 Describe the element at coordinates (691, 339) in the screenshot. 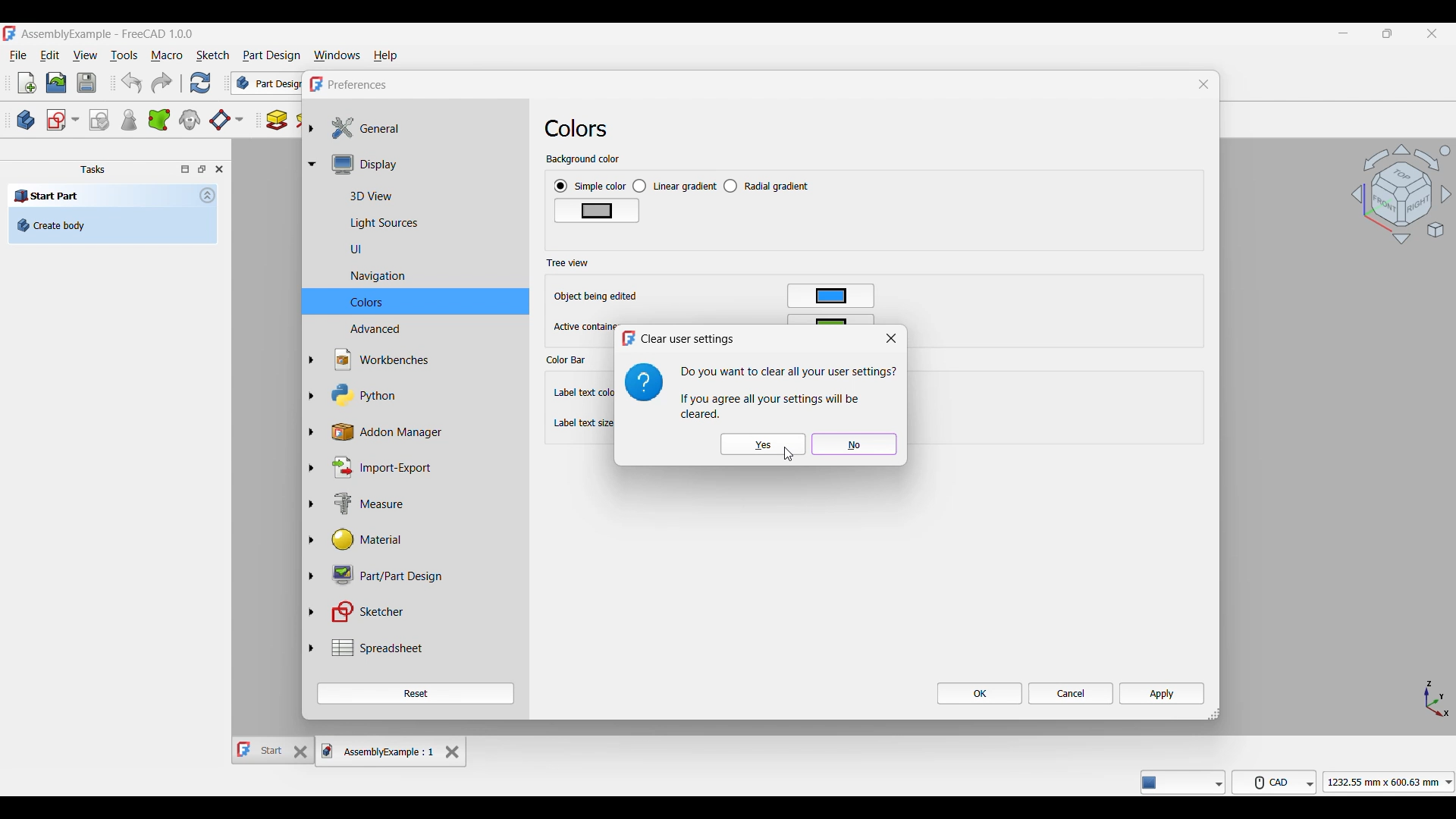

I see `Clear user settings` at that location.